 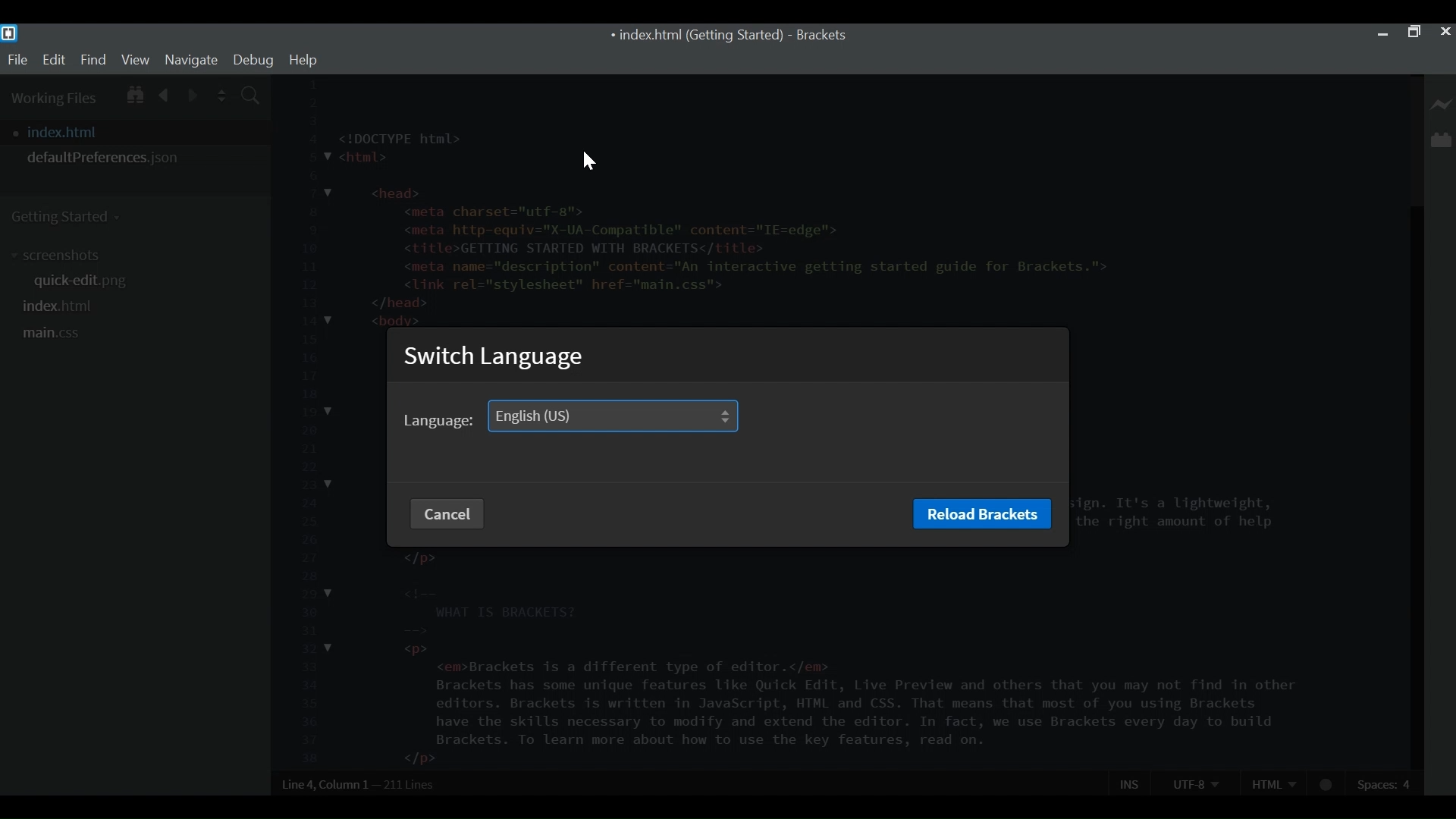 I want to click on Restore, so click(x=1413, y=33).